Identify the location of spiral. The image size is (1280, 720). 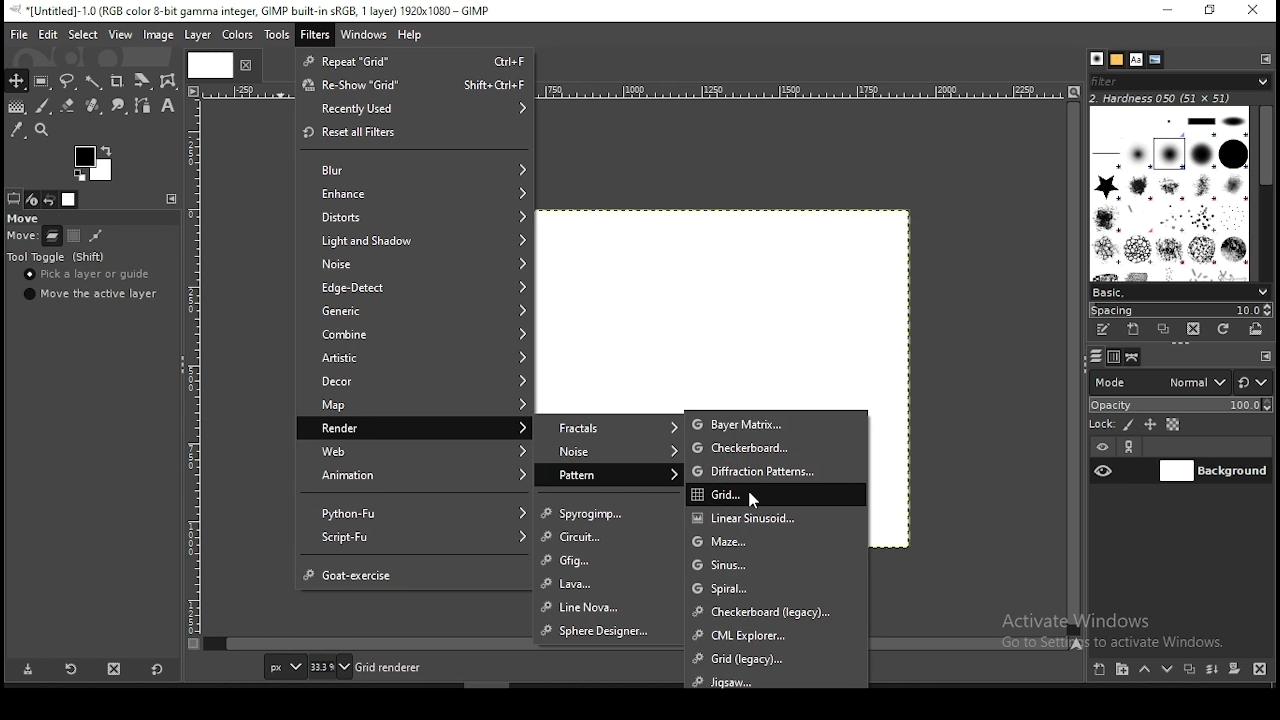
(778, 588).